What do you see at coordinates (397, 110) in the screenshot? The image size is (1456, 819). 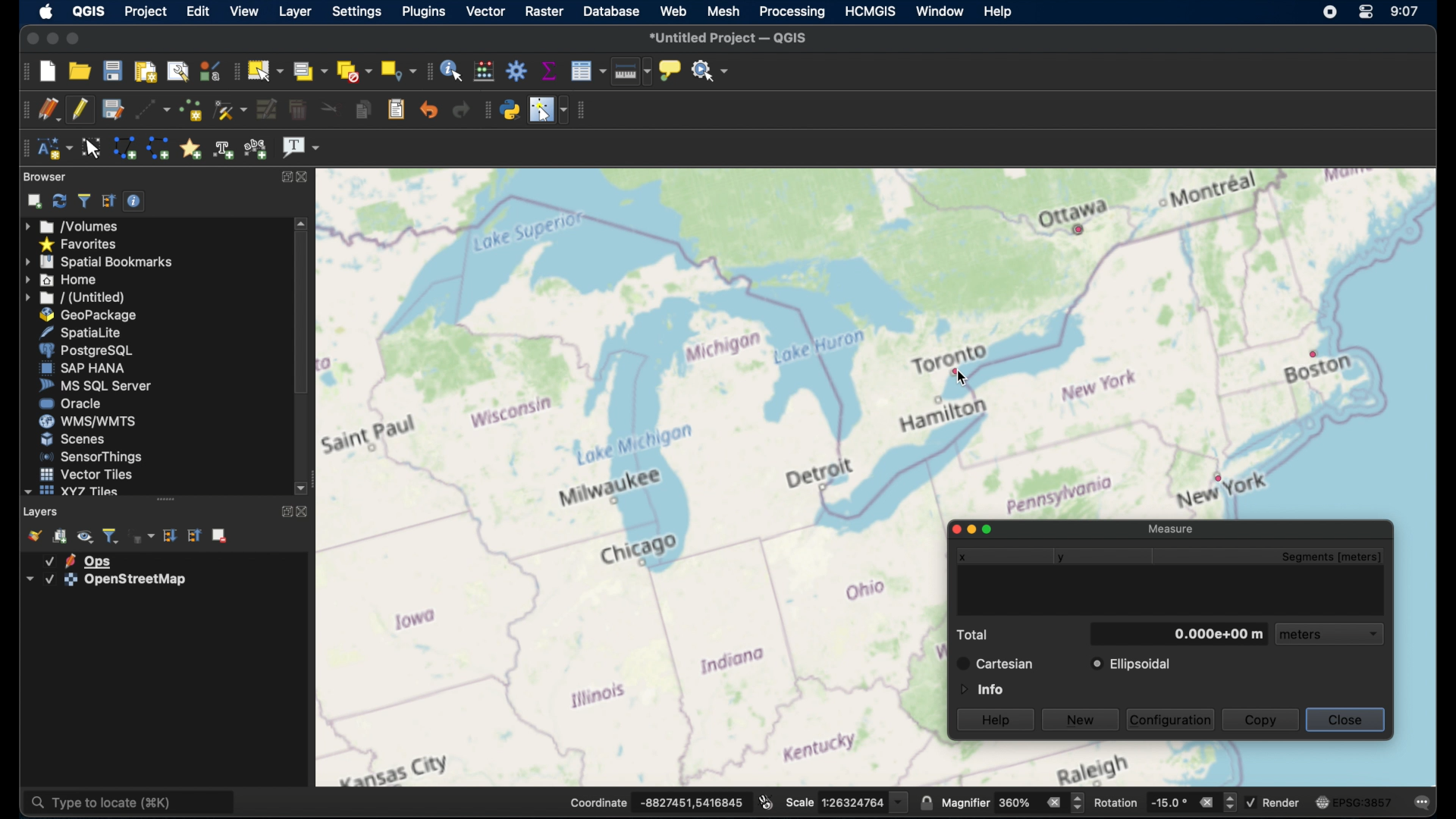 I see `paste features` at bounding box center [397, 110].